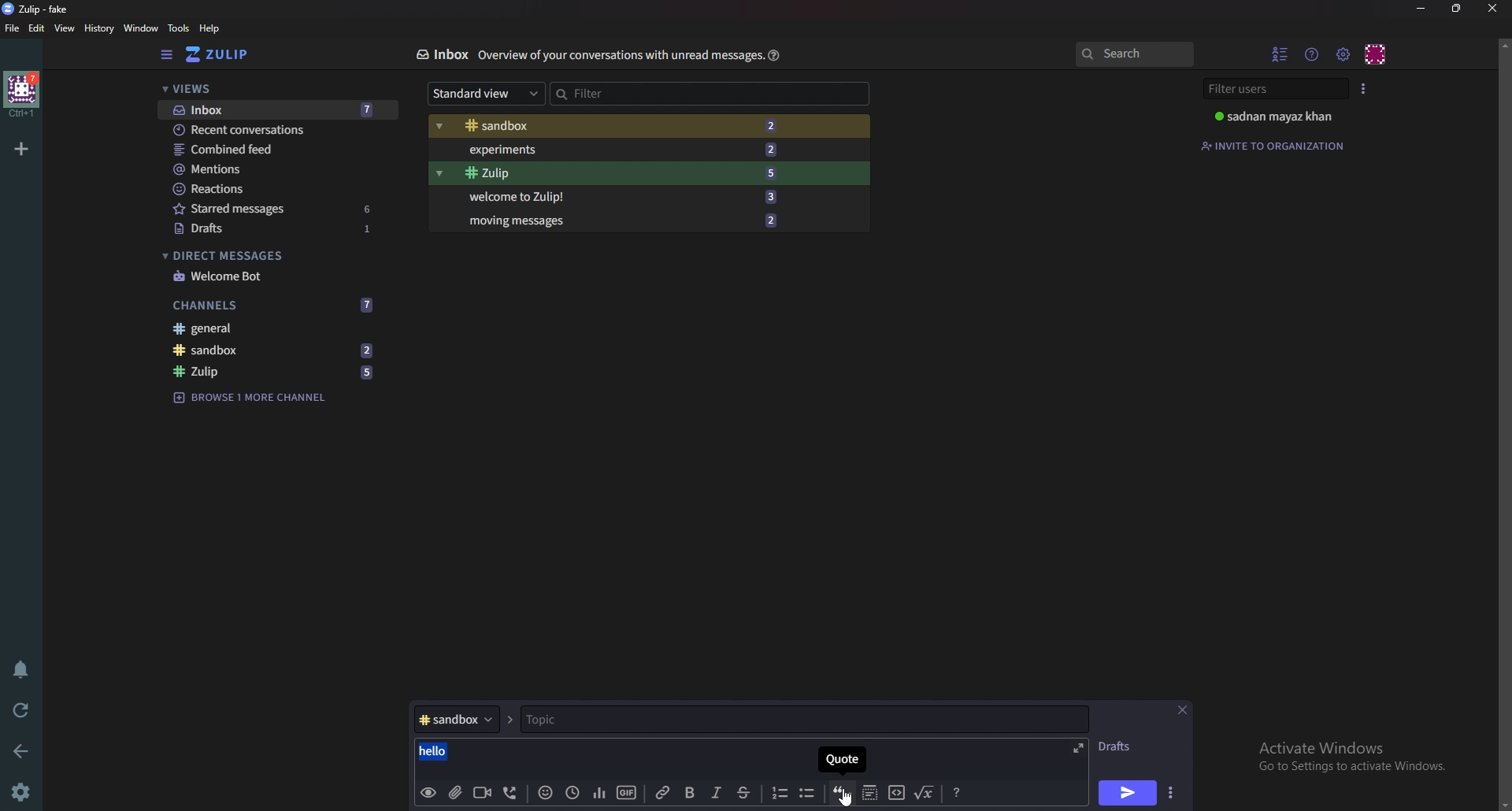 The height and width of the screenshot is (811, 1512). What do you see at coordinates (1365, 88) in the screenshot?
I see `User list style` at bounding box center [1365, 88].